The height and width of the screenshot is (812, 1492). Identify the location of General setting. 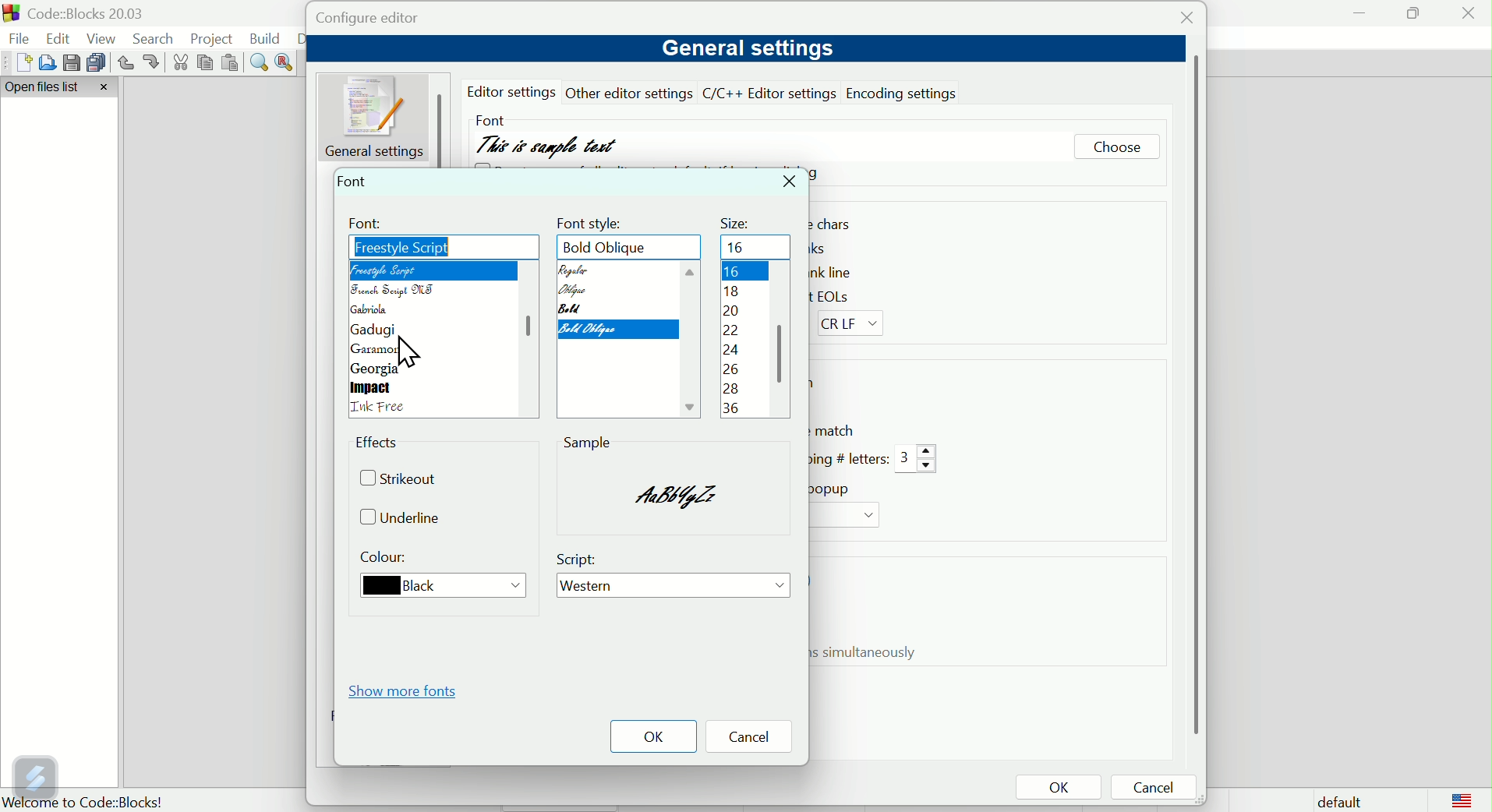
(377, 116).